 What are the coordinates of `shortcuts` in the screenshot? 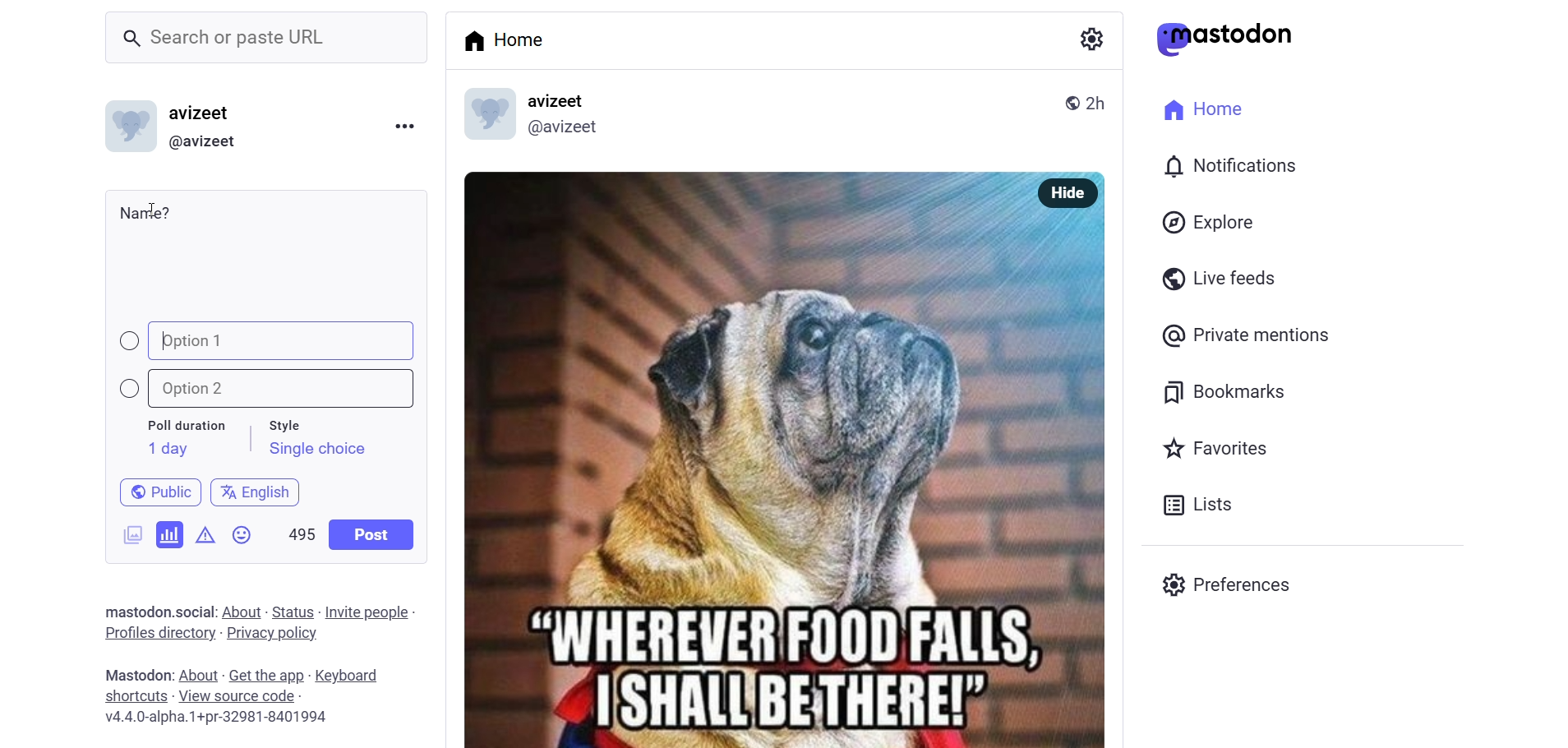 It's located at (135, 696).